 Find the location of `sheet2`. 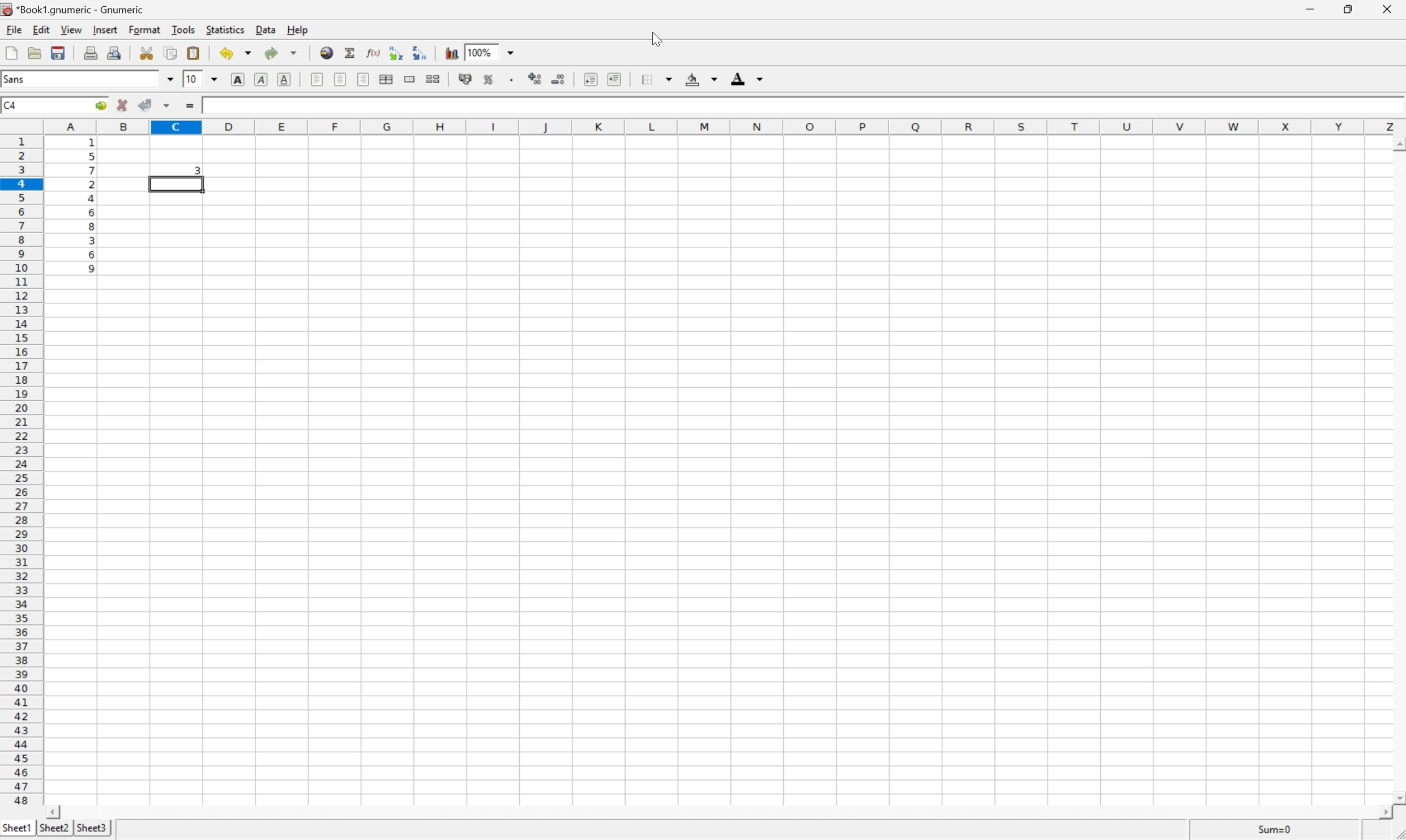

sheet2 is located at coordinates (53, 828).